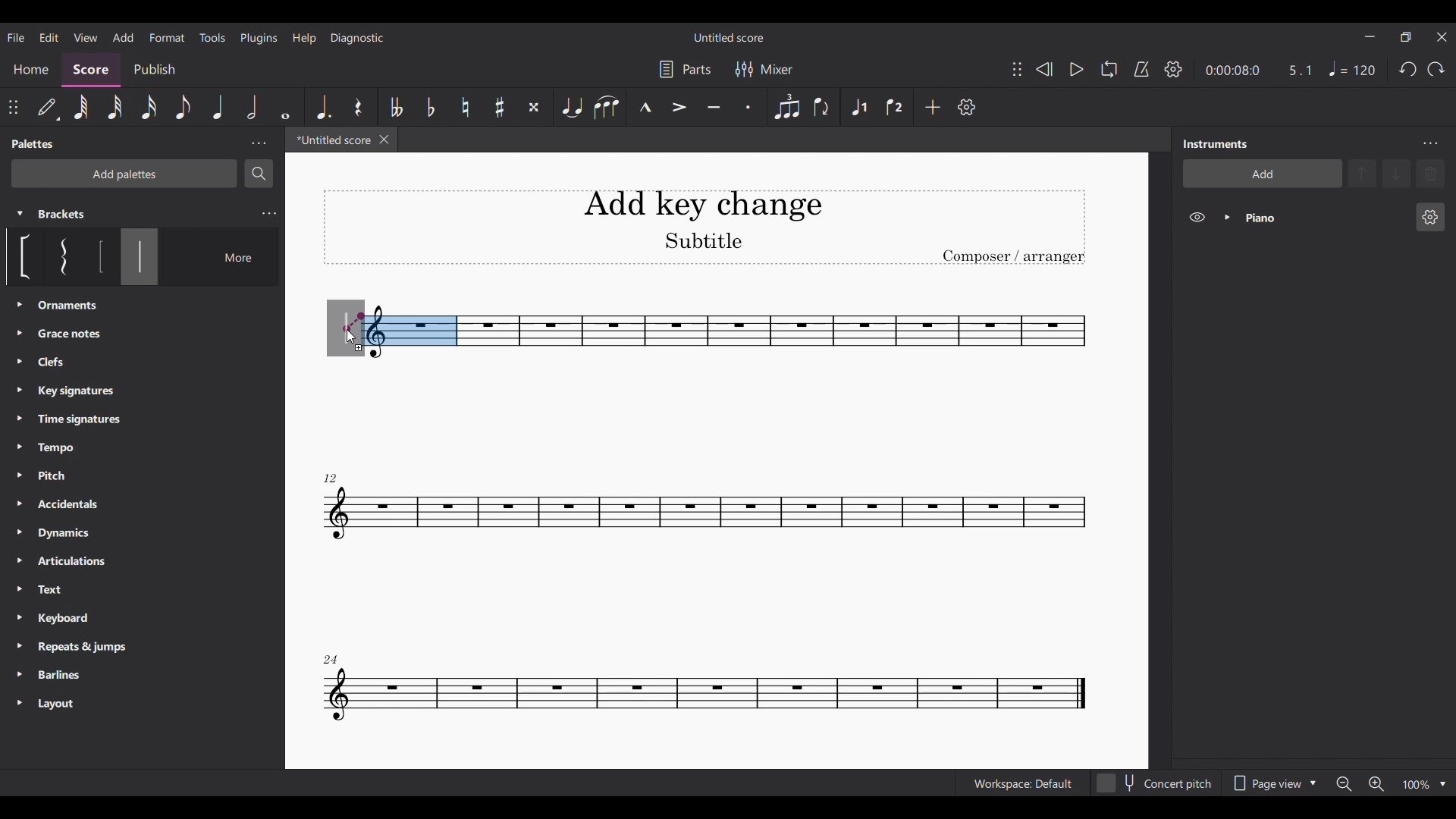 The width and height of the screenshot is (1456, 819). Describe the element at coordinates (358, 108) in the screenshot. I see `Rest` at that location.